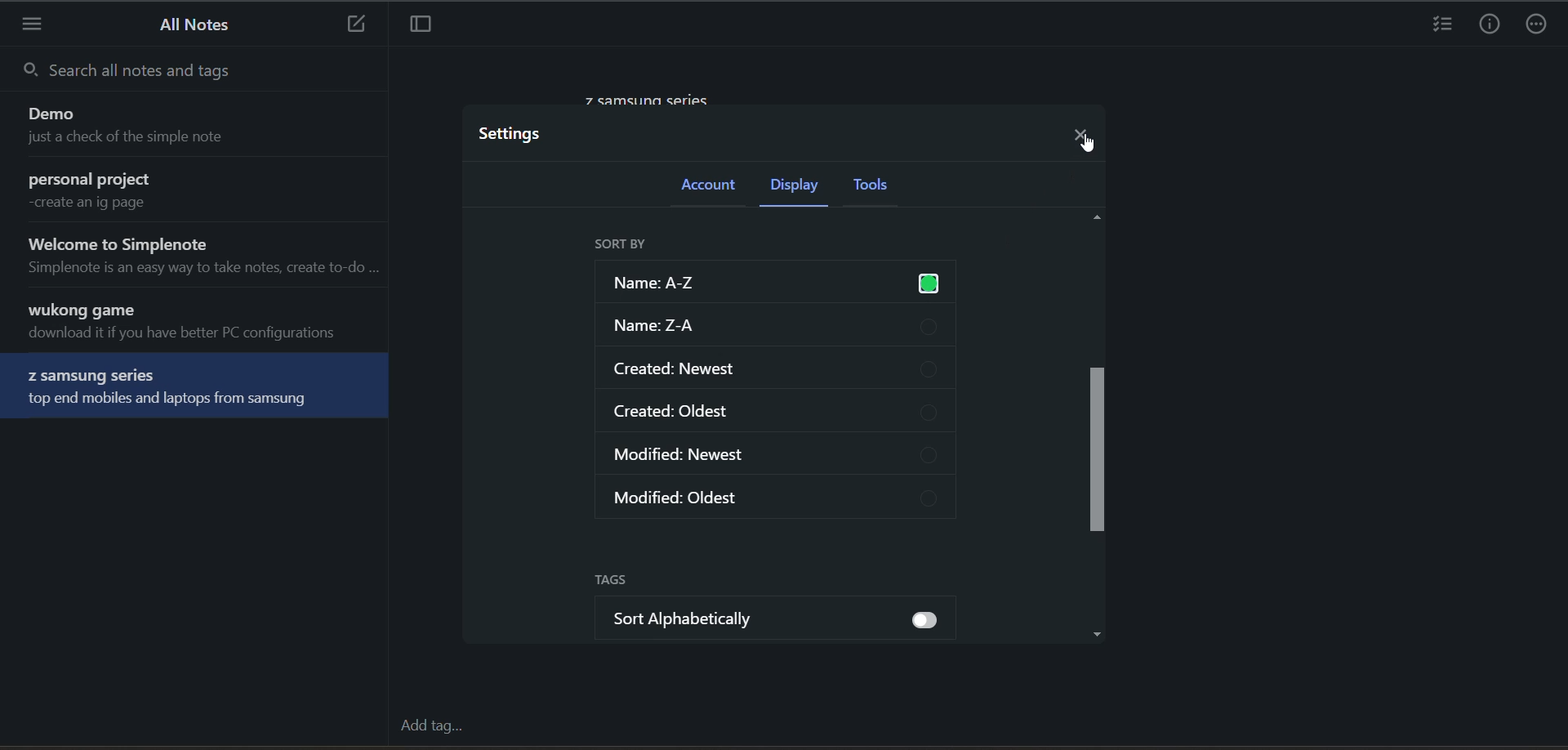 This screenshot has width=1568, height=750. Describe the element at coordinates (715, 189) in the screenshot. I see `account` at that location.